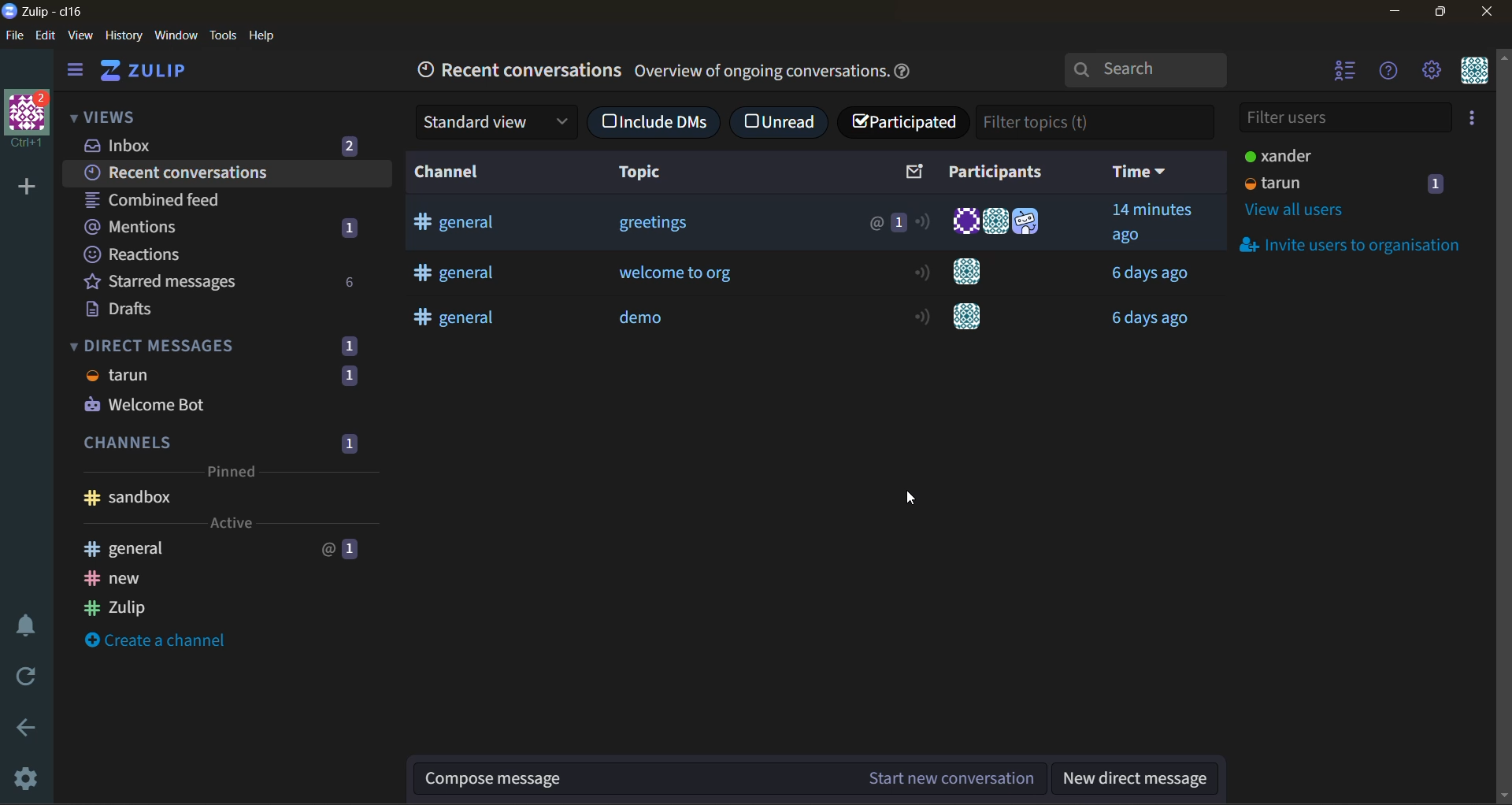 The height and width of the screenshot is (805, 1512). What do you see at coordinates (132, 310) in the screenshot?
I see `drafts` at bounding box center [132, 310].